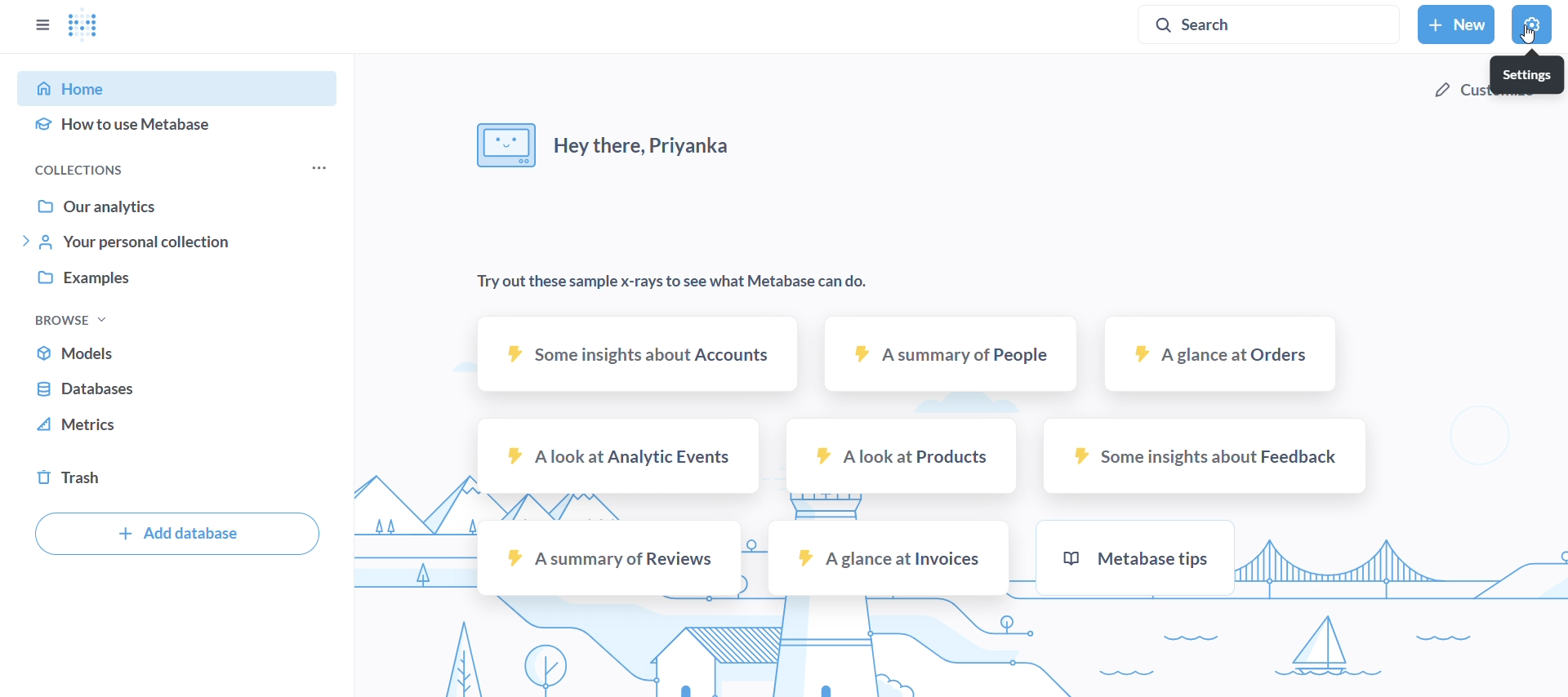 The height and width of the screenshot is (697, 1568). Describe the element at coordinates (1530, 27) in the screenshot. I see `settings` at that location.